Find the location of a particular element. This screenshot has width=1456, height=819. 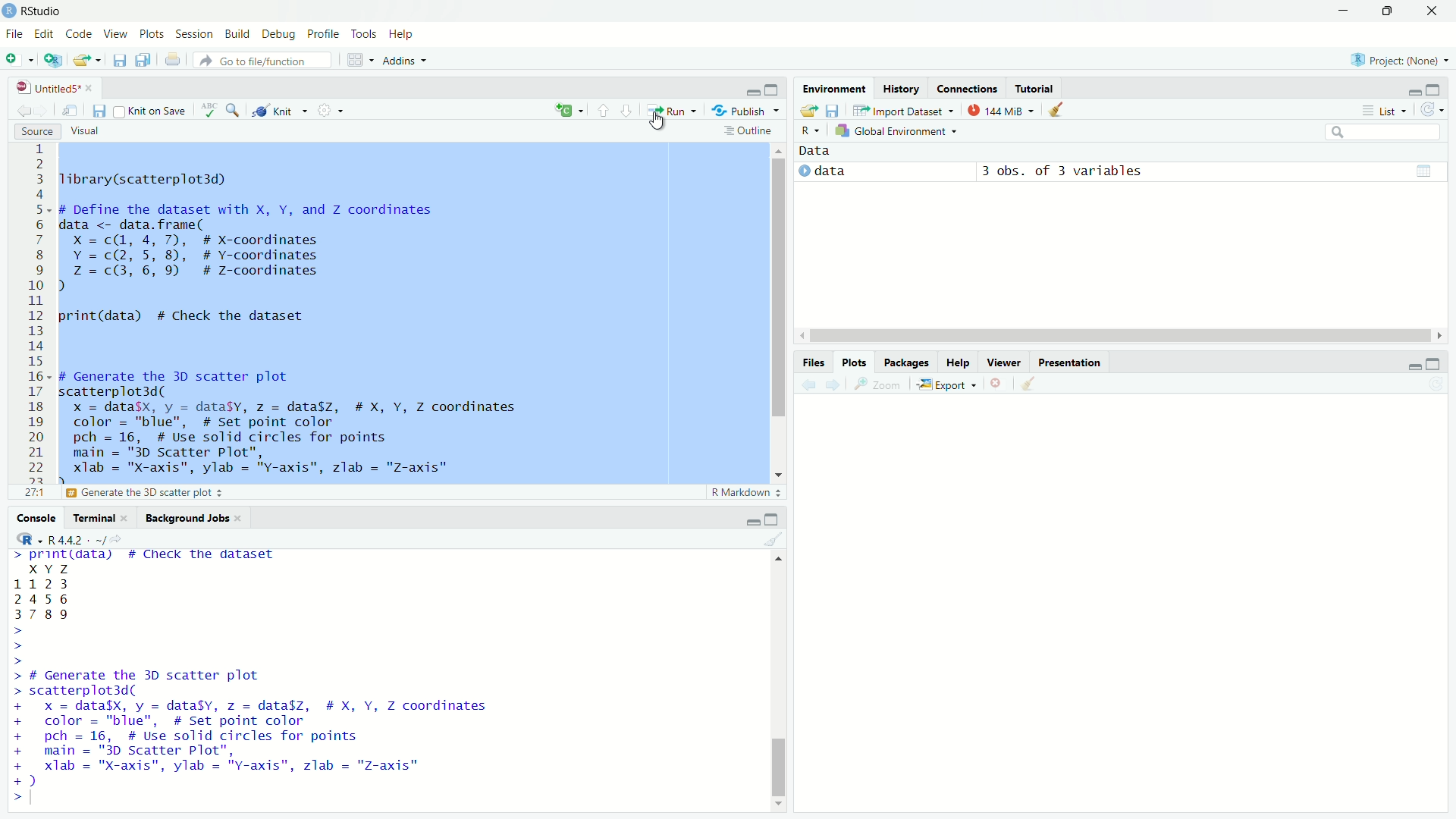

file is located at coordinates (12, 35).